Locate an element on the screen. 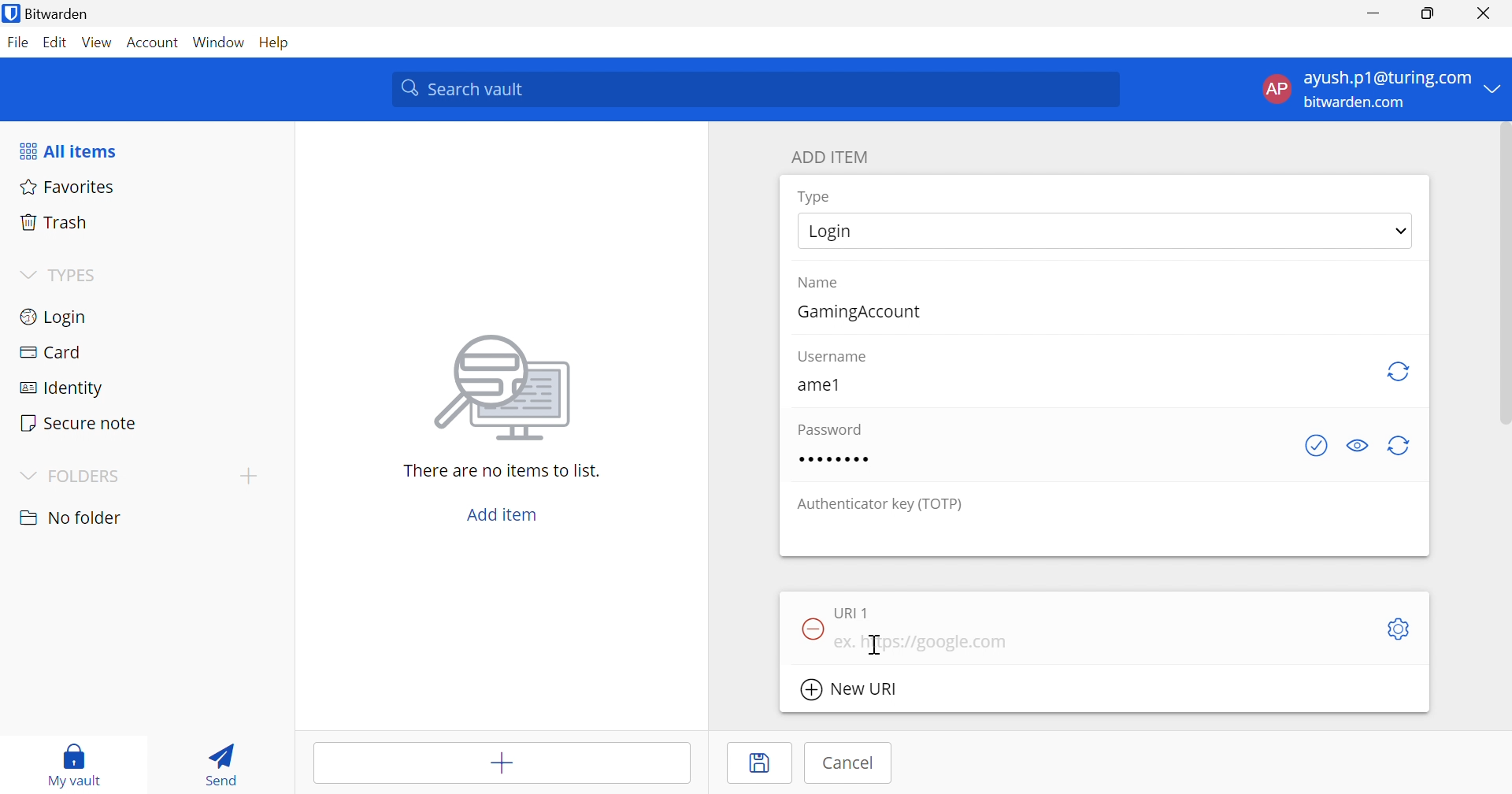  Drop Down is located at coordinates (1497, 87).